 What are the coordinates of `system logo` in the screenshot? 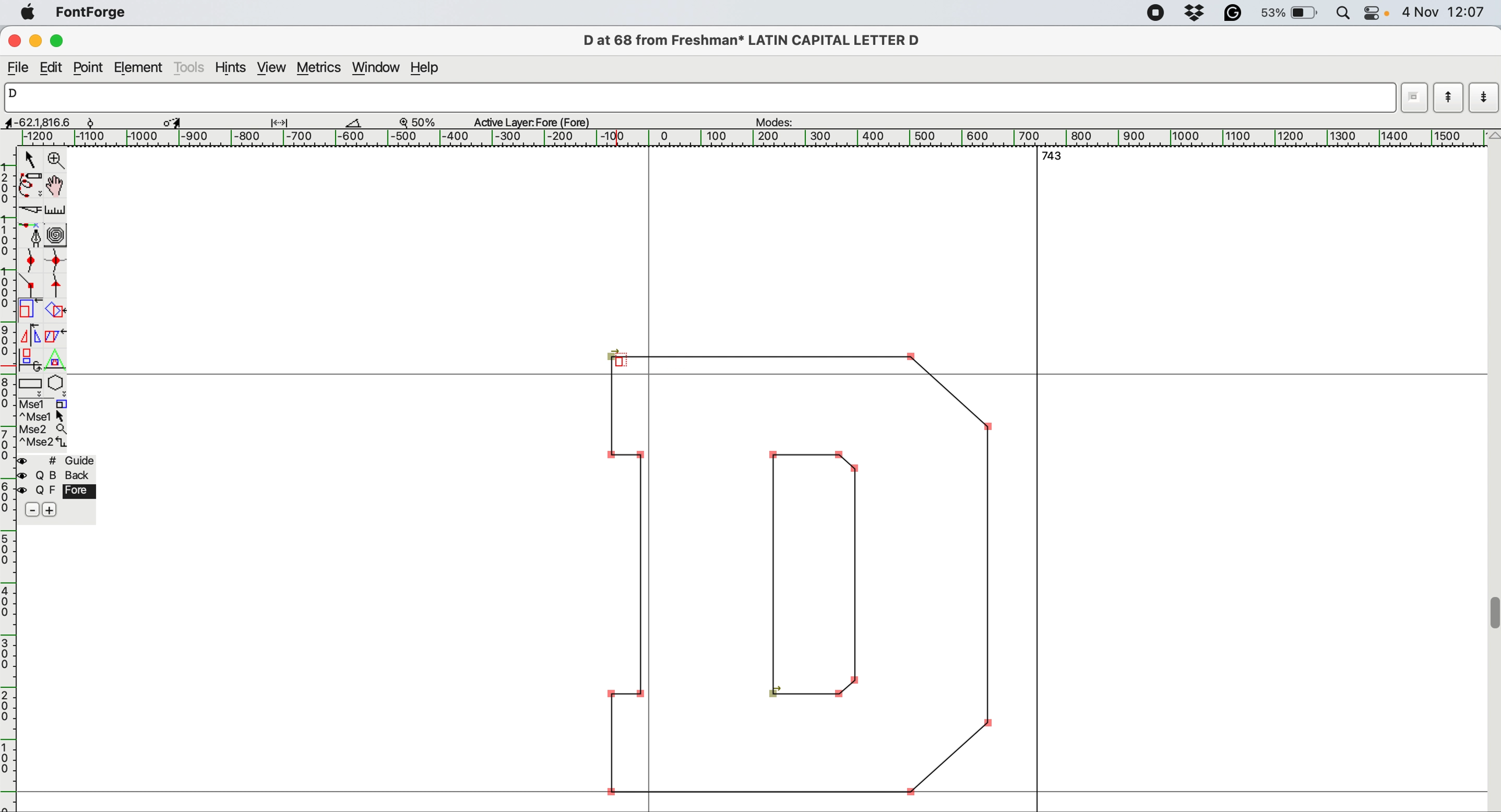 It's located at (29, 14).